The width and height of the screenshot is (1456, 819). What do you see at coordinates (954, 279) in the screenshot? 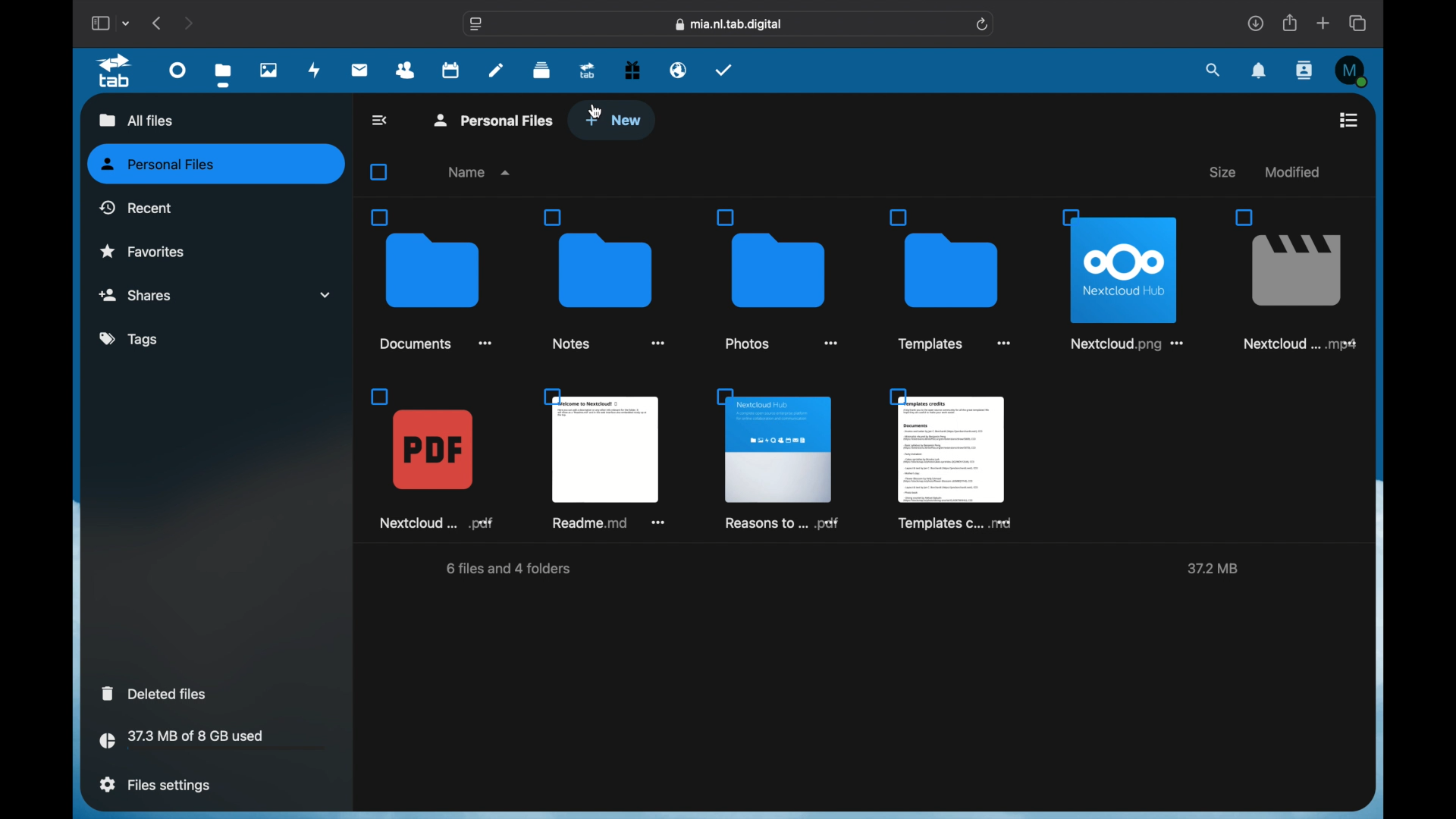
I see `folder` at bounding box center [954, 279].